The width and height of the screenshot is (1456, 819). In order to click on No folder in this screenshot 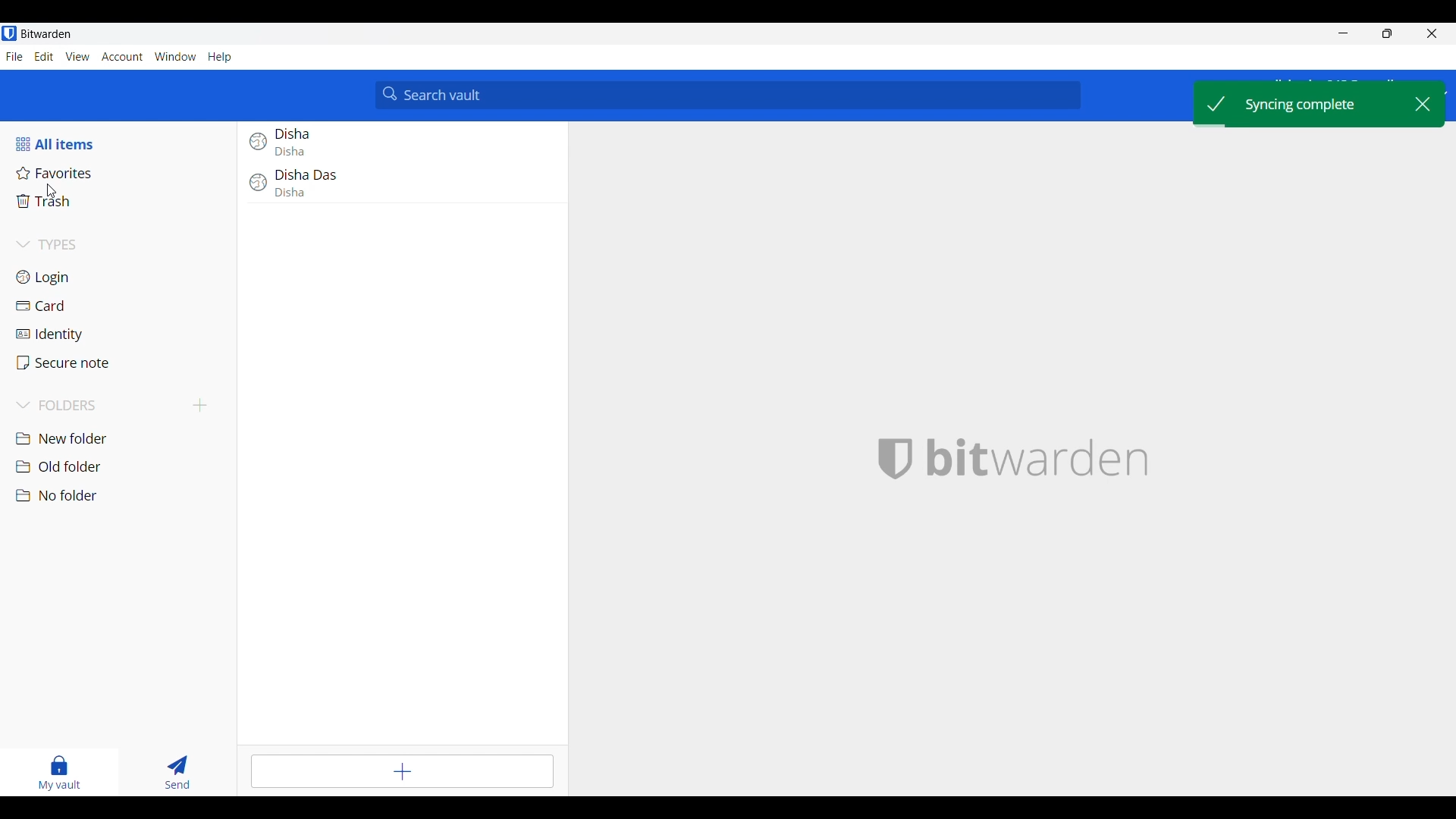, I will do `click(121, 496)`.